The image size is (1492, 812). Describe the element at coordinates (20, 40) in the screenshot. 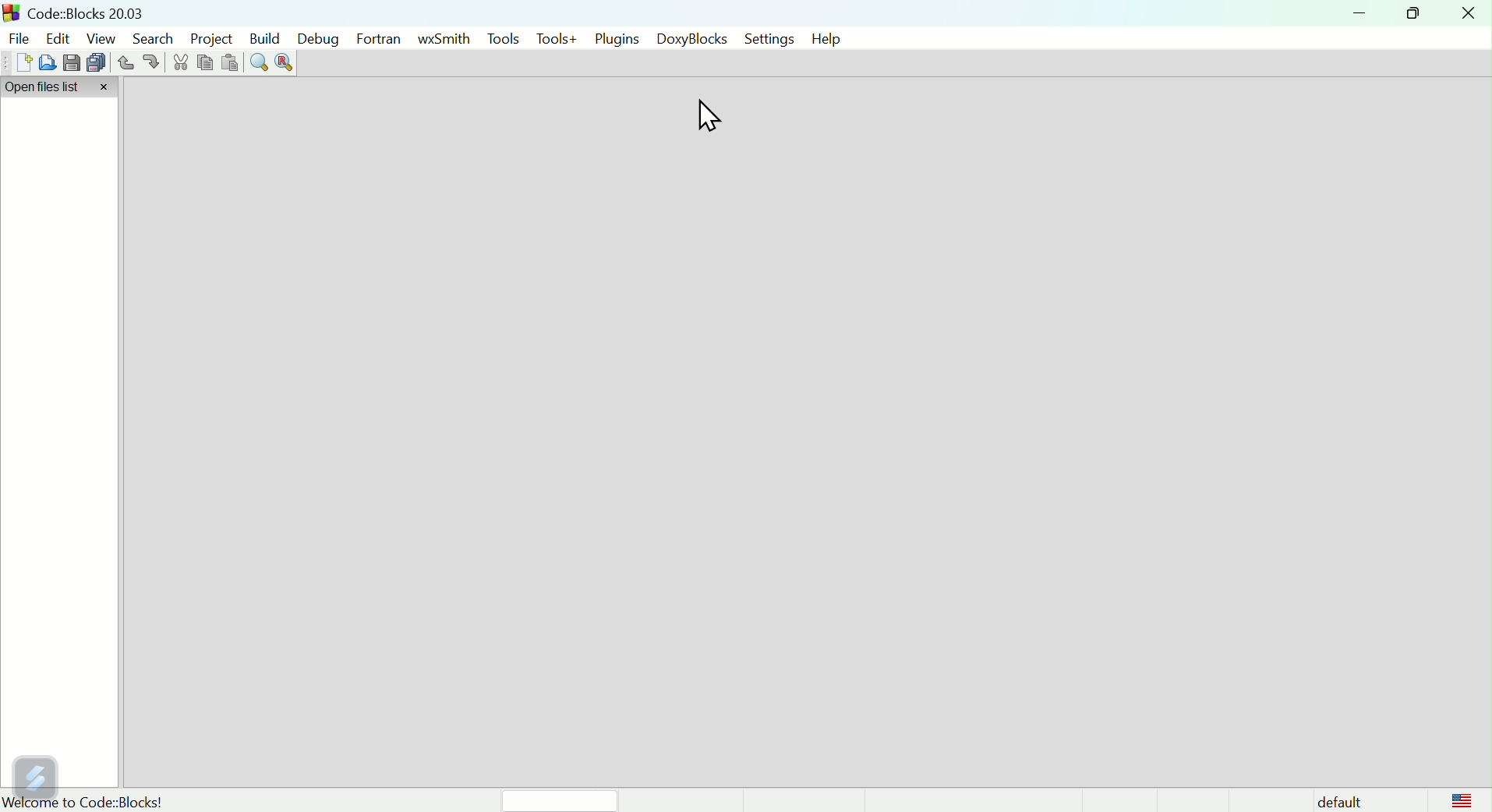

I see `file` at that location.